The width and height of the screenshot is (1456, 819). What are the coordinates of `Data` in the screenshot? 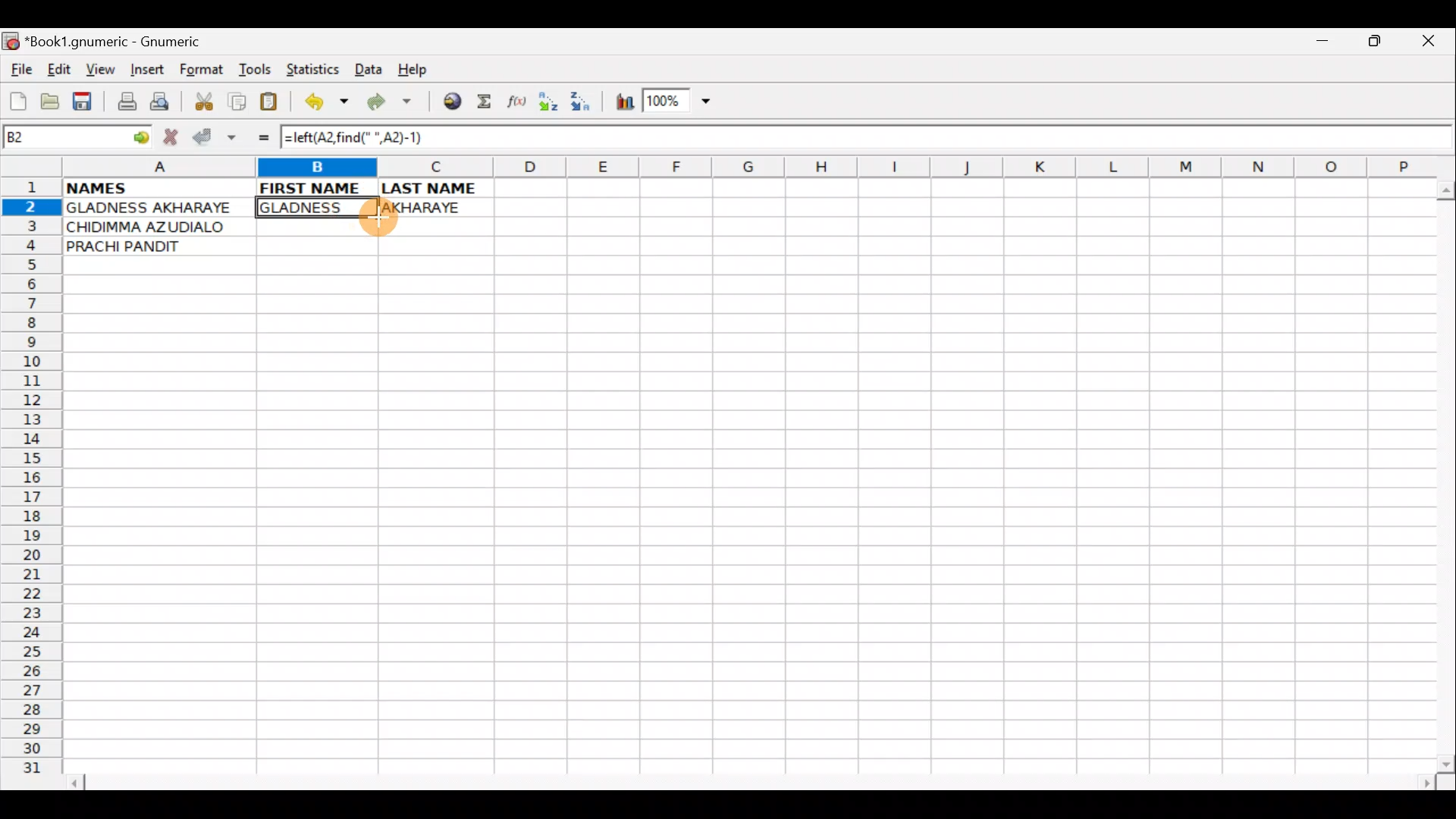 It's located at (368, 68).